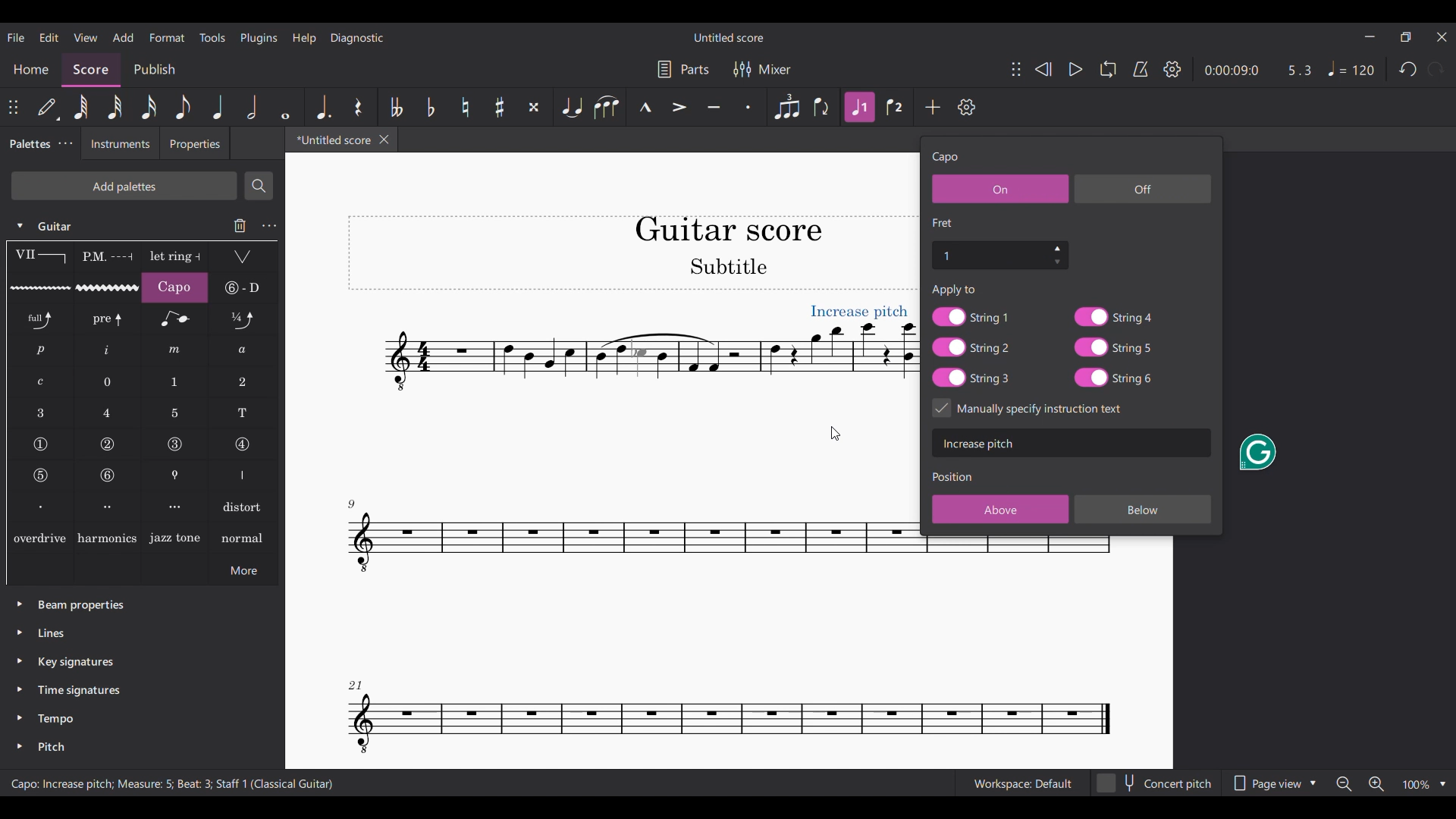 The height and width of the screenshot is (819, 1456). I want to click on String number 4, so click(242, 445).